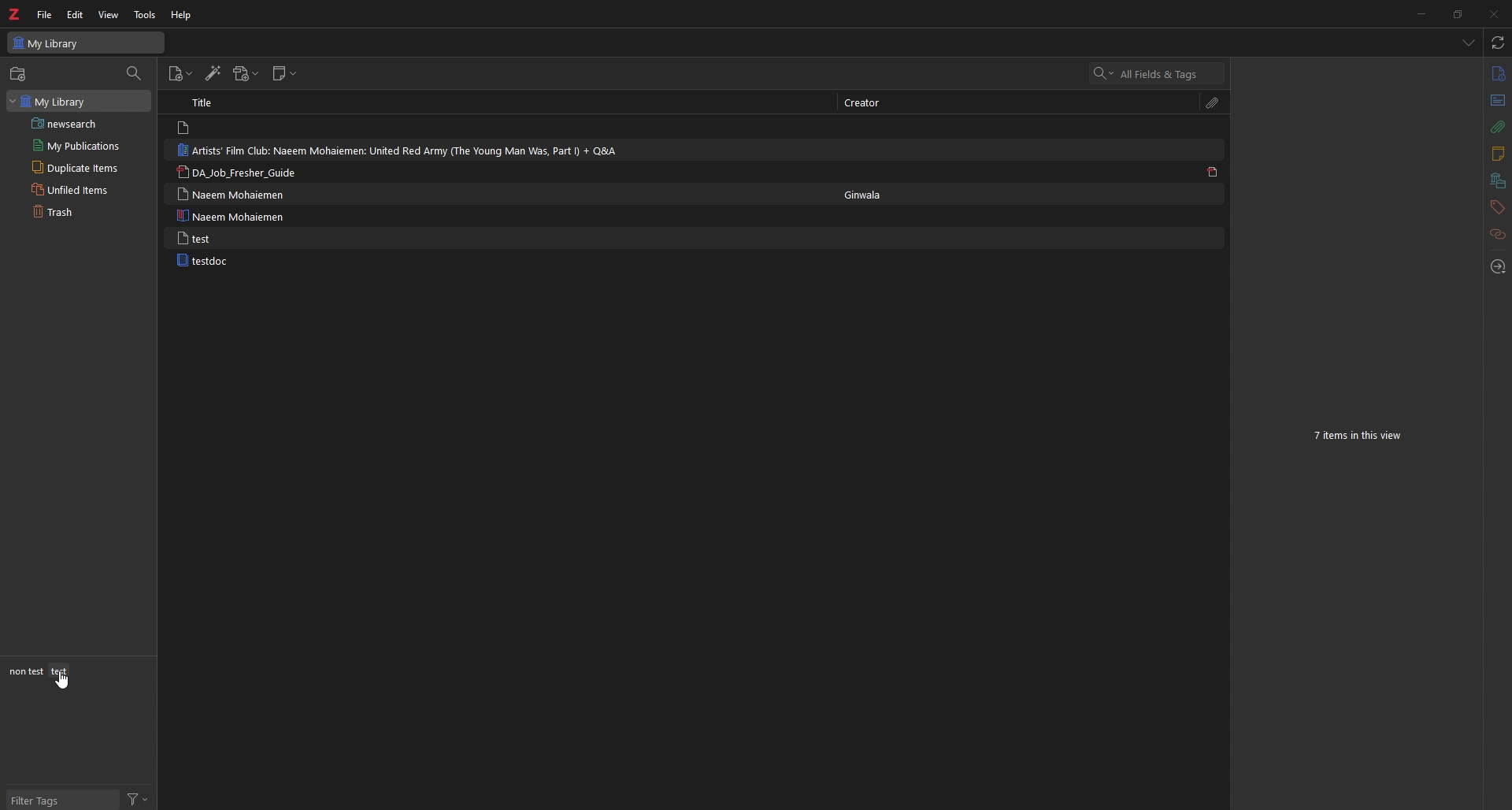  What do you see at coordinates (1499, 43) in the screenshot?
I see `sync with zotero.org` at bounding box center [1499, 43].